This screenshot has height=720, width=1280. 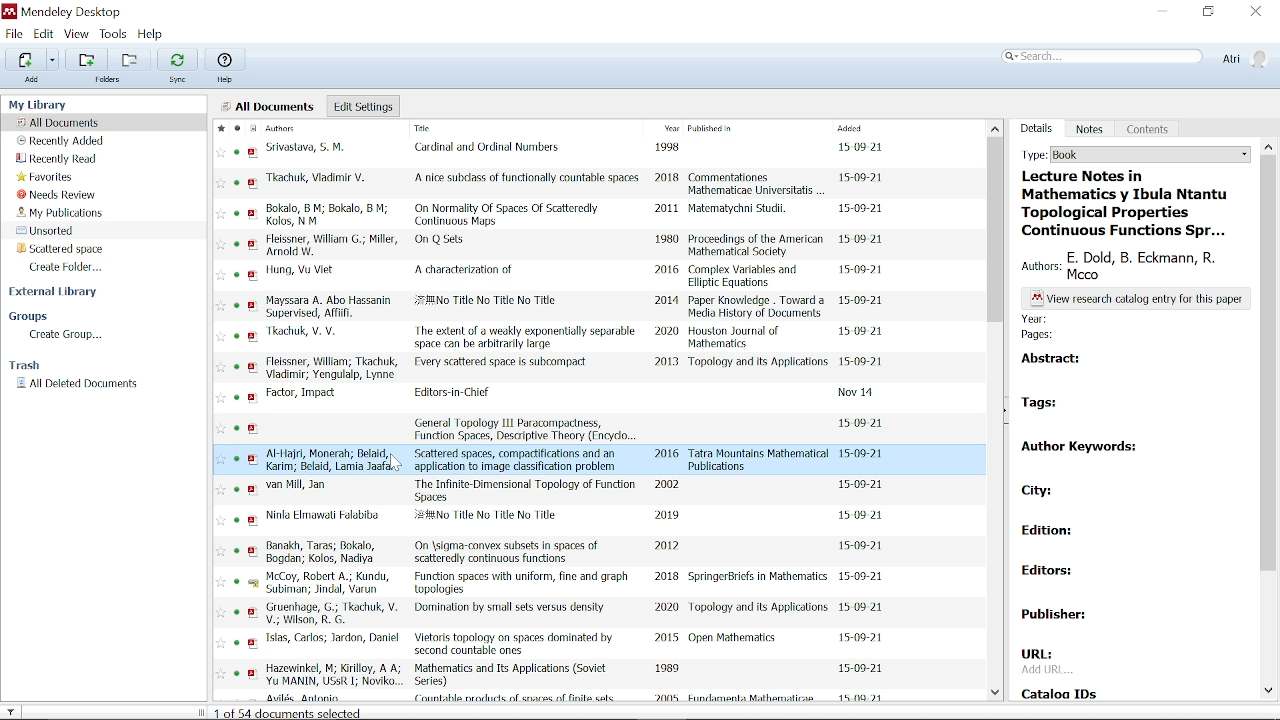 I want to click on date, so click(x=863, y=243).